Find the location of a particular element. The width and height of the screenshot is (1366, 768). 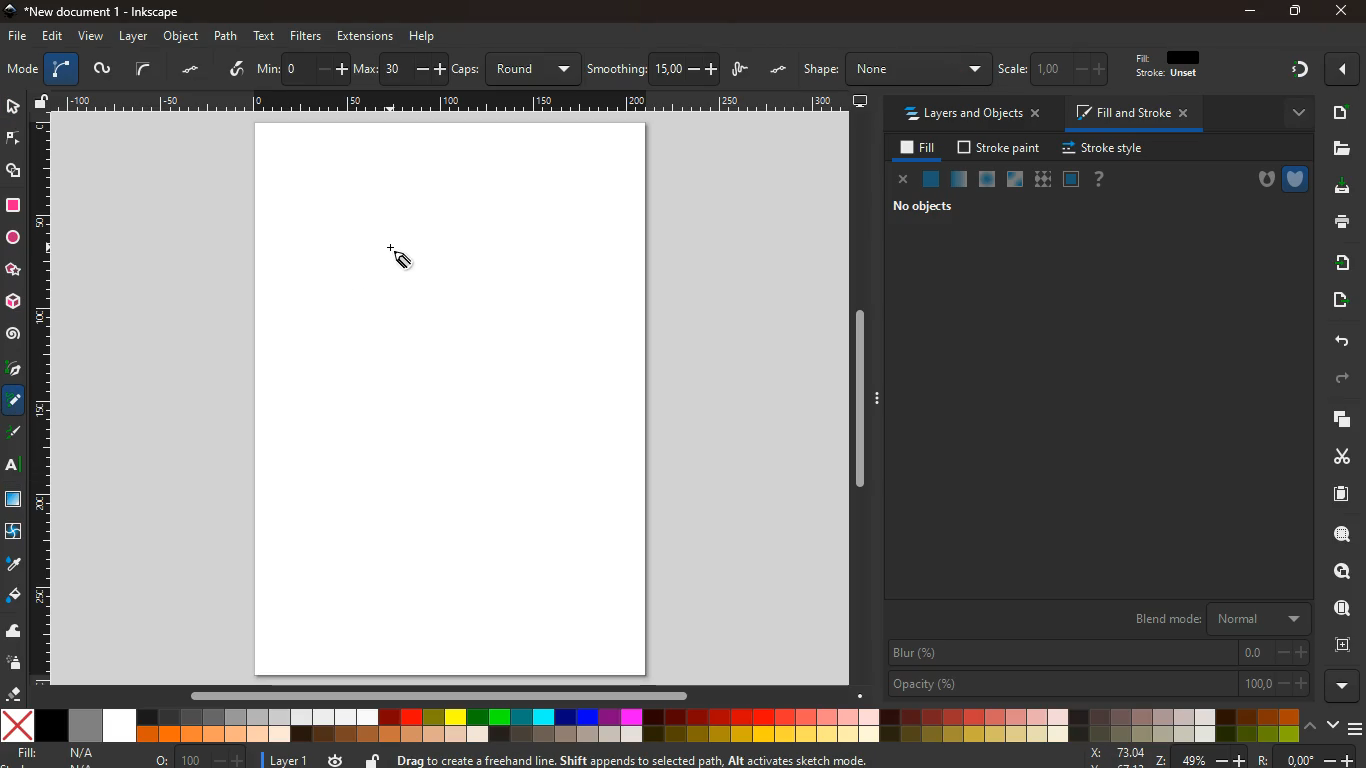

erase is located at coordinates (11, 693).